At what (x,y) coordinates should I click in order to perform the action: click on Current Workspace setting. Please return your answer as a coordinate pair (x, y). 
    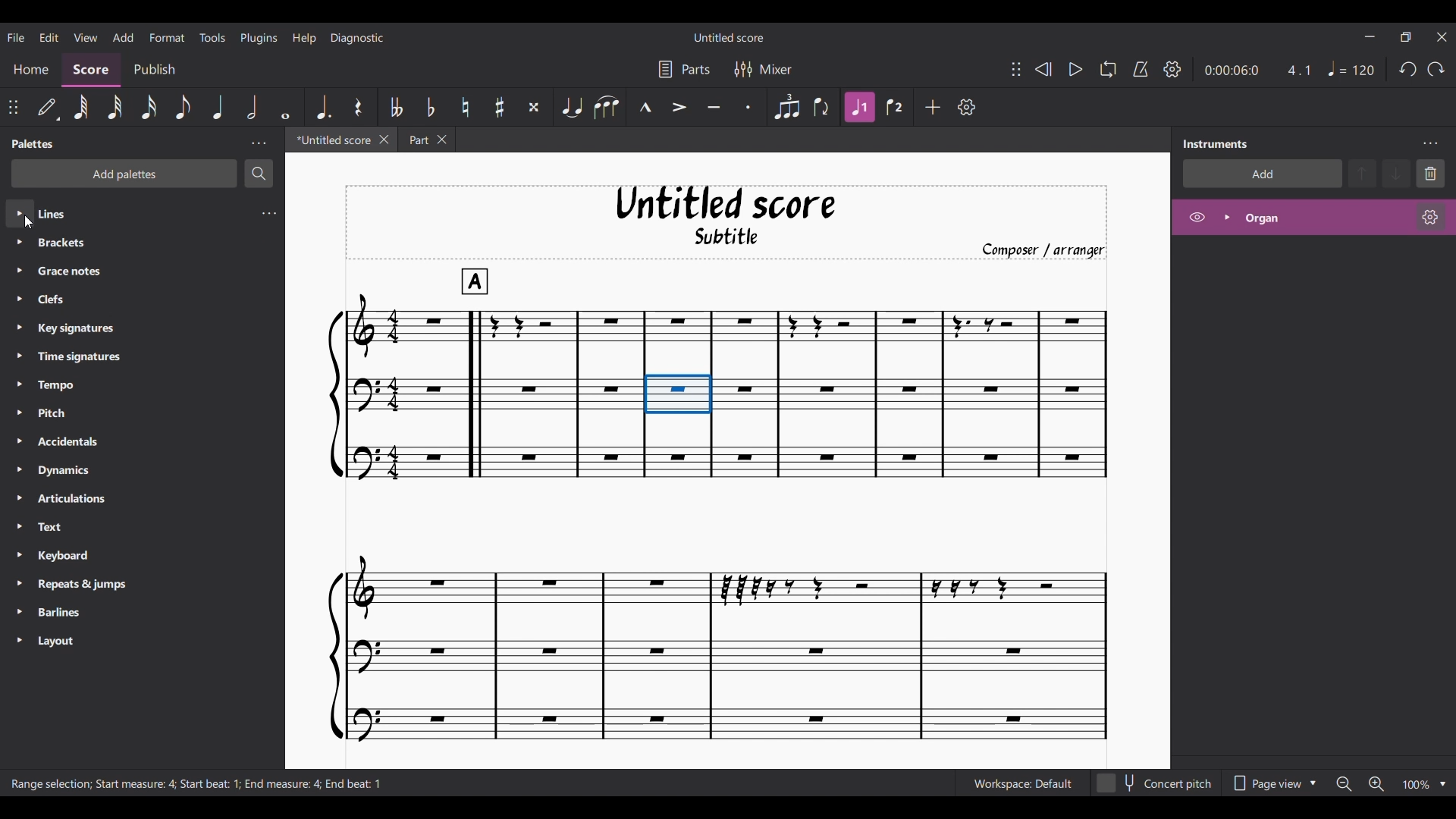
    Looking at the image, I should click on (1022, 783).